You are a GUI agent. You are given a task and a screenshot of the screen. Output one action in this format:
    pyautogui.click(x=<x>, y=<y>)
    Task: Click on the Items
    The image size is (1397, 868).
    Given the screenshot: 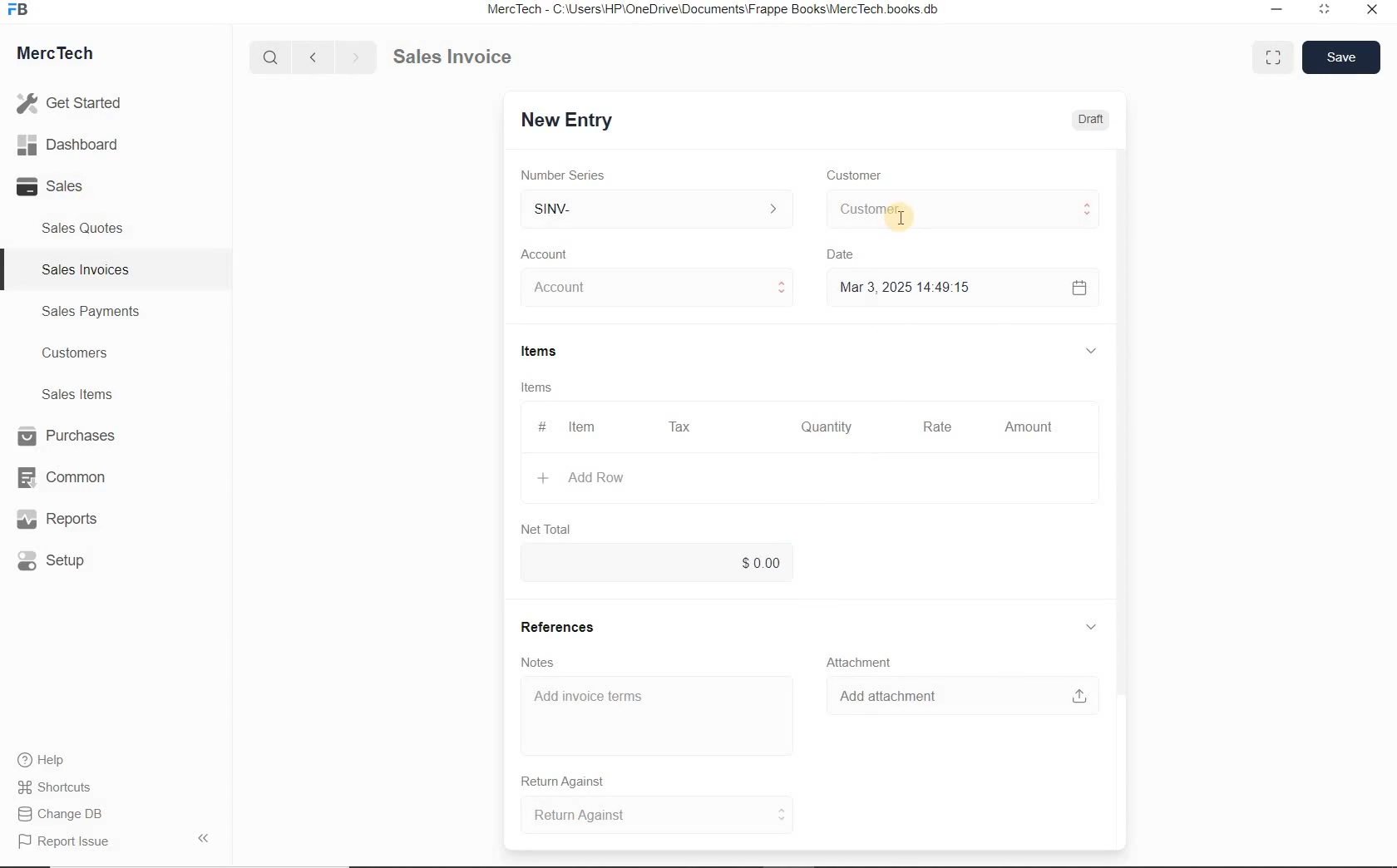 What is the action you would take?
    pyautogui.click(x=539, y=389)
    